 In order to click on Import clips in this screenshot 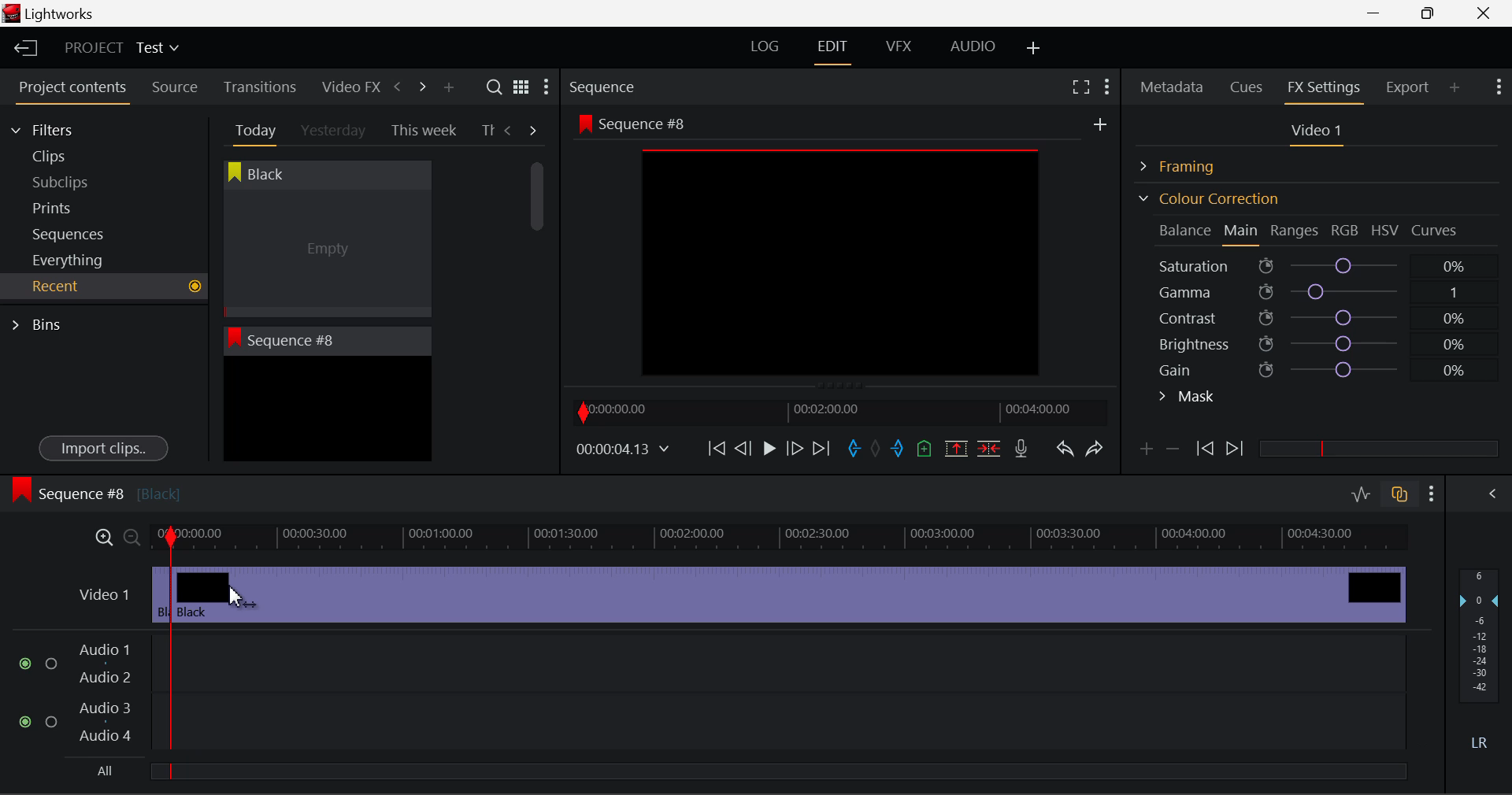, I will do `click(103, 449)`.